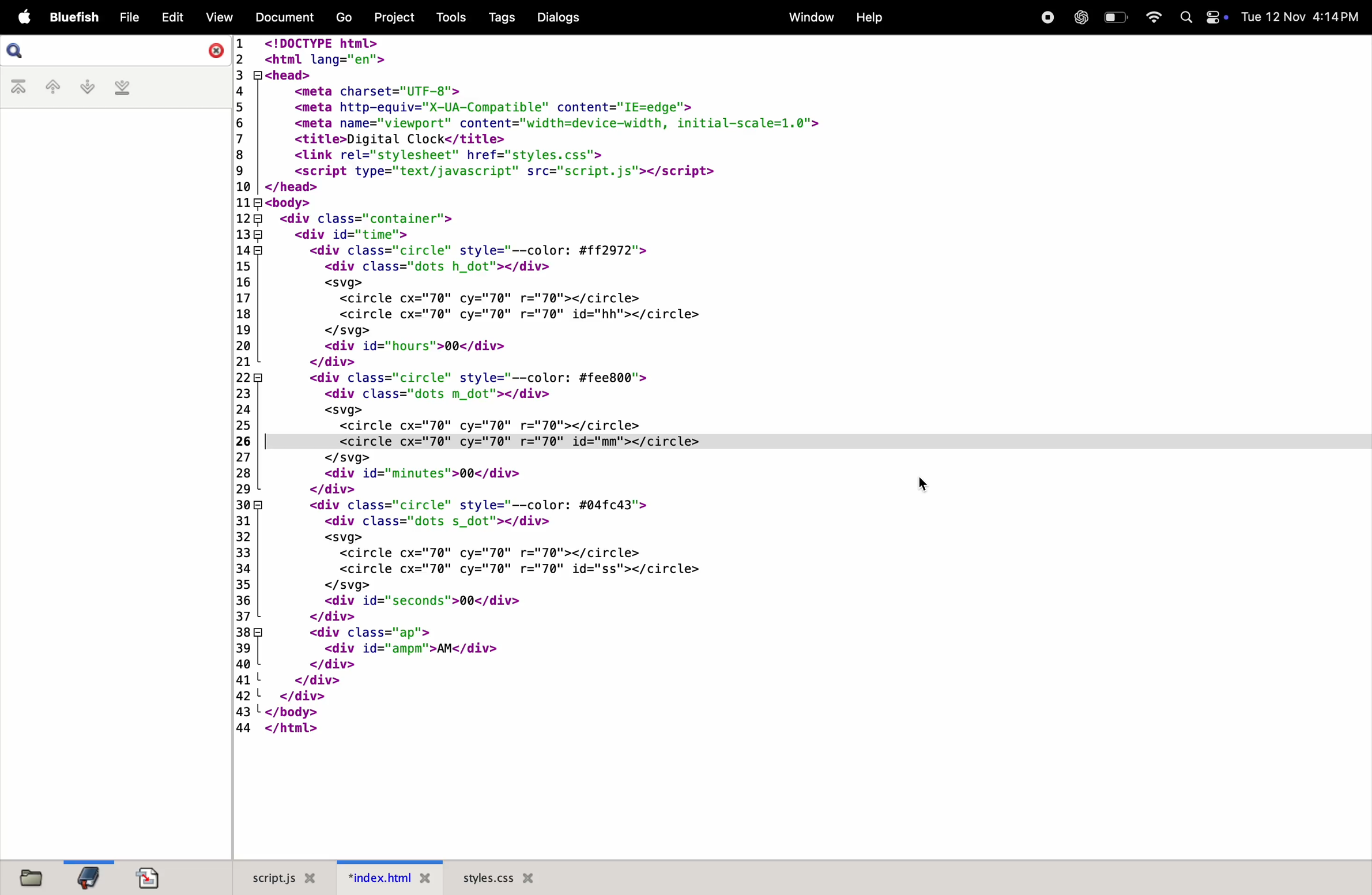 This screenshot has height=895, width=1372. Describe the element at coordinates (541, 393) in the screenshot. I see `<!DOCTYPE html><html lang="en">1<head><meta charset="UTF-8"><meta http-equiv="X-UA-Compatible" content="IE=edge"><meta name="viewport" content="width=device-width, initial-scale=1.8'.<title>Digital Clock</title><link rel="stylesheet" href="styles.css"><script type="text/javascript" src="script.js"></script></head>1<body>1 <div class="container">] <div id="time">1 <div class="circle" style="--color: #ff2972"><div class="dots h_dot"></div><svg><circle cx="70" cy="70" r="70"></circle><circle cx="70" cy="70" r="70" id="hh"></circle></svg><div id="hours">00</div></div>1 <div class="circle" style="--color: #fee800"><div class="dots m_dot"></div><svg><circle cx="70" cy="70" r="70"></circle>| <circle cx="70" cy="70" r="70" id="mm"></circle></svg><div id="minutes">00</div></div>1 <div class="circle" style="--color: #04fc43"><div class="dots s_dot"></div><svg><circle cx="70" cy="70" r="70"></circle><circle cx="70" cy="70" r="70" id="ss"></circle></svg><div id="seconds">00</div></div>] <div class="ap"><div id="ampm">AM</div></div></div></div>- </body></html>` at that location.